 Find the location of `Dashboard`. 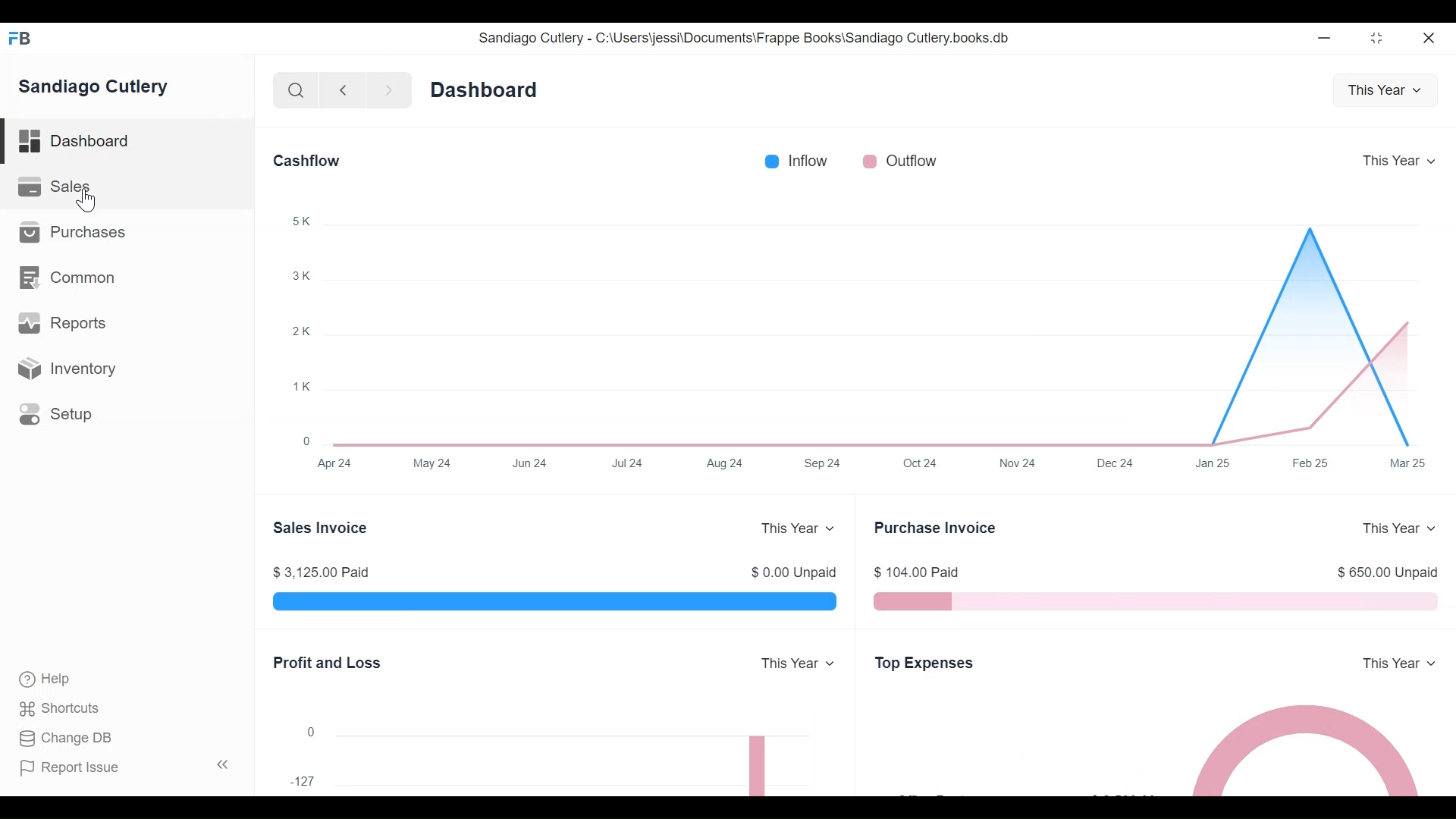

Dashboard is located at coordinates (74, 137).